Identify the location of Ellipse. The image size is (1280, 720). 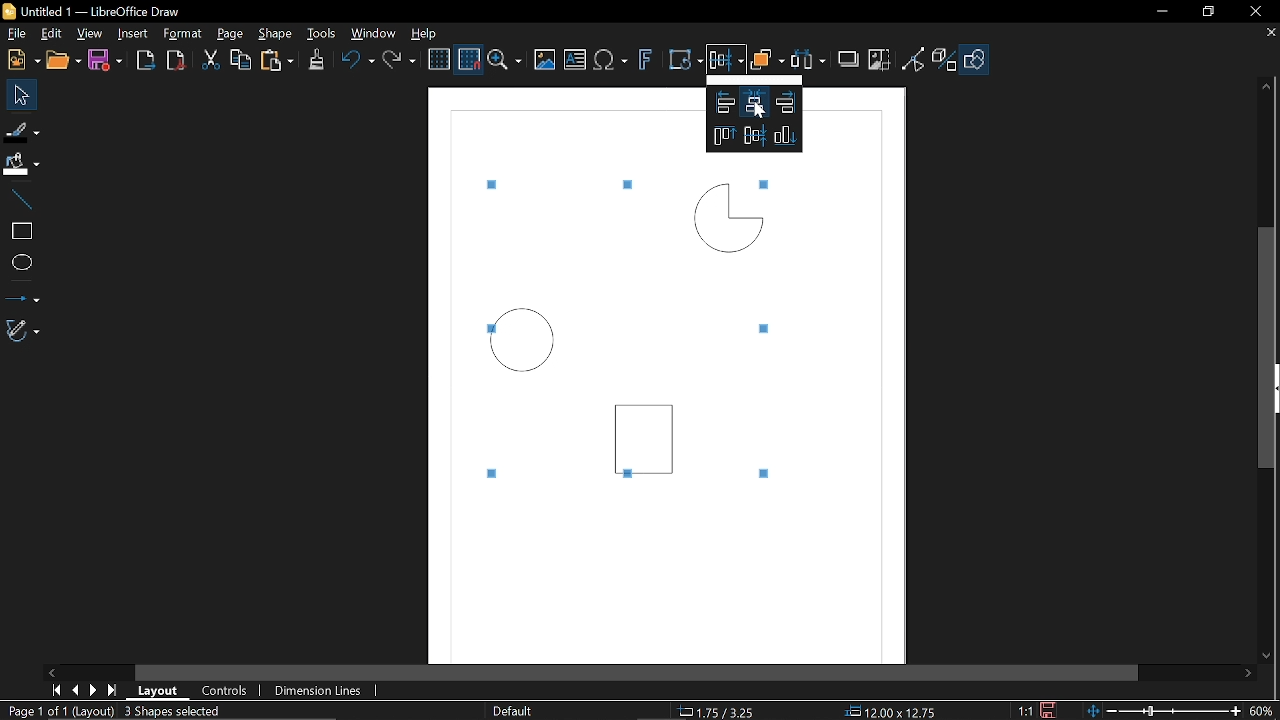
(20, 263).